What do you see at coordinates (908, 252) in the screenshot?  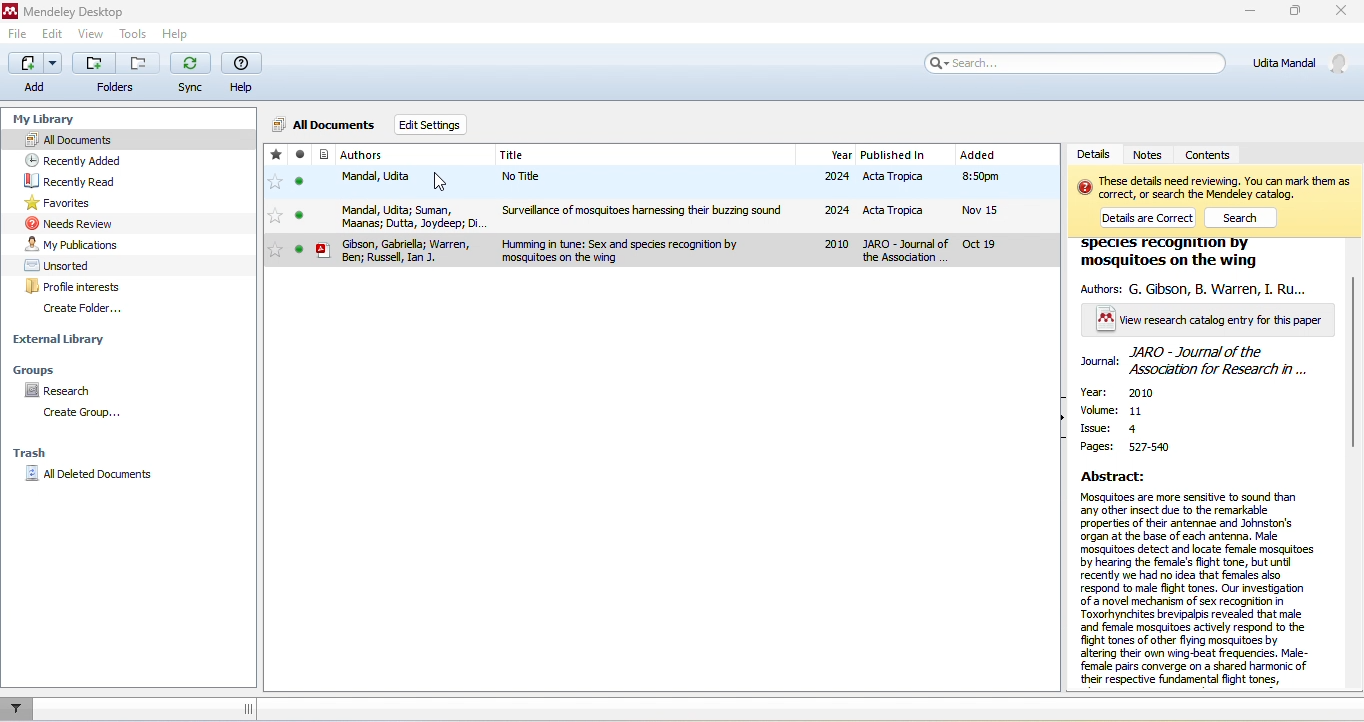 I see `jaro journal of the association` at bounding box center [908, 252].